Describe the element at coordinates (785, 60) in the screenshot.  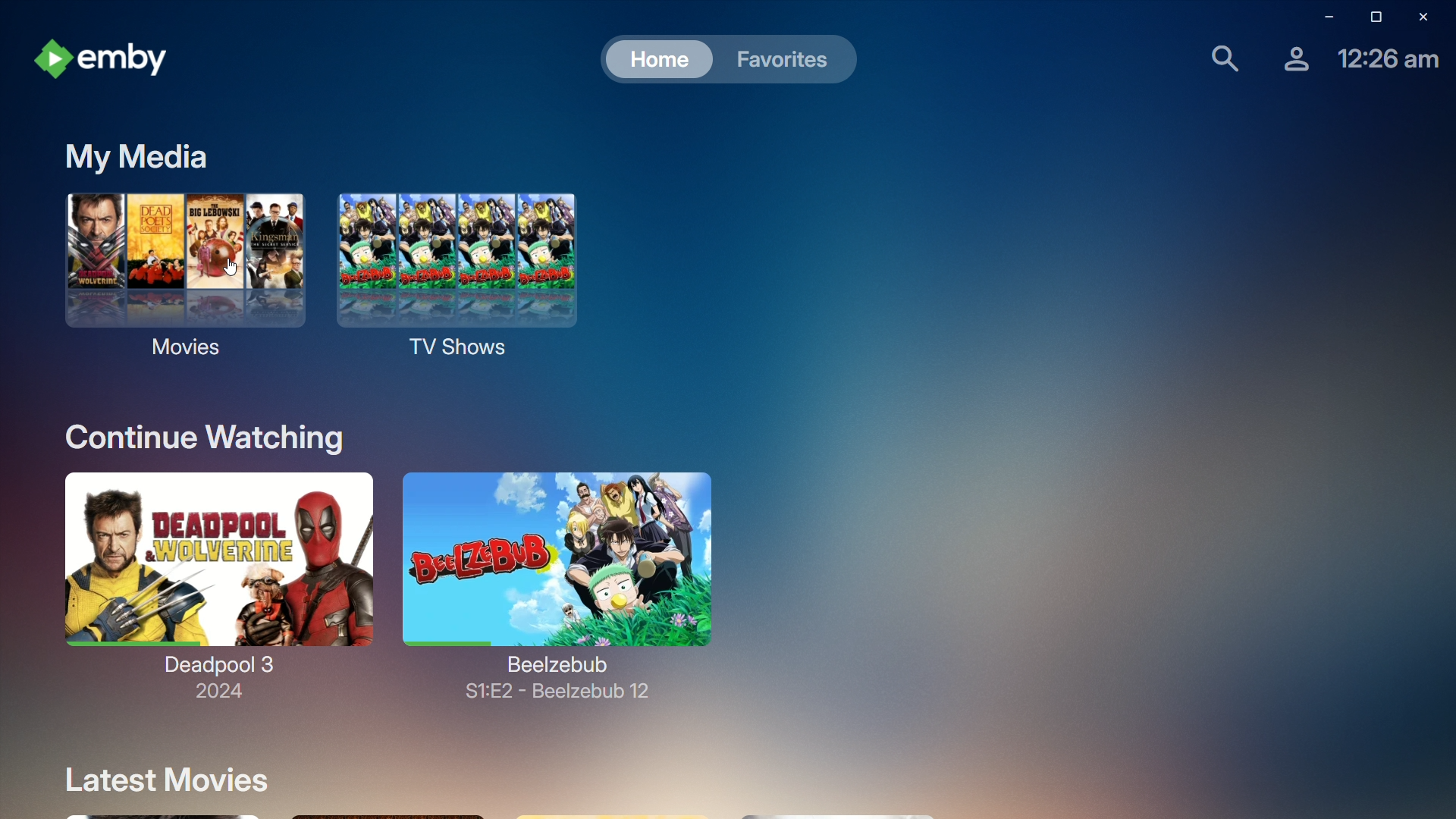
I see `Favorites` at that location.